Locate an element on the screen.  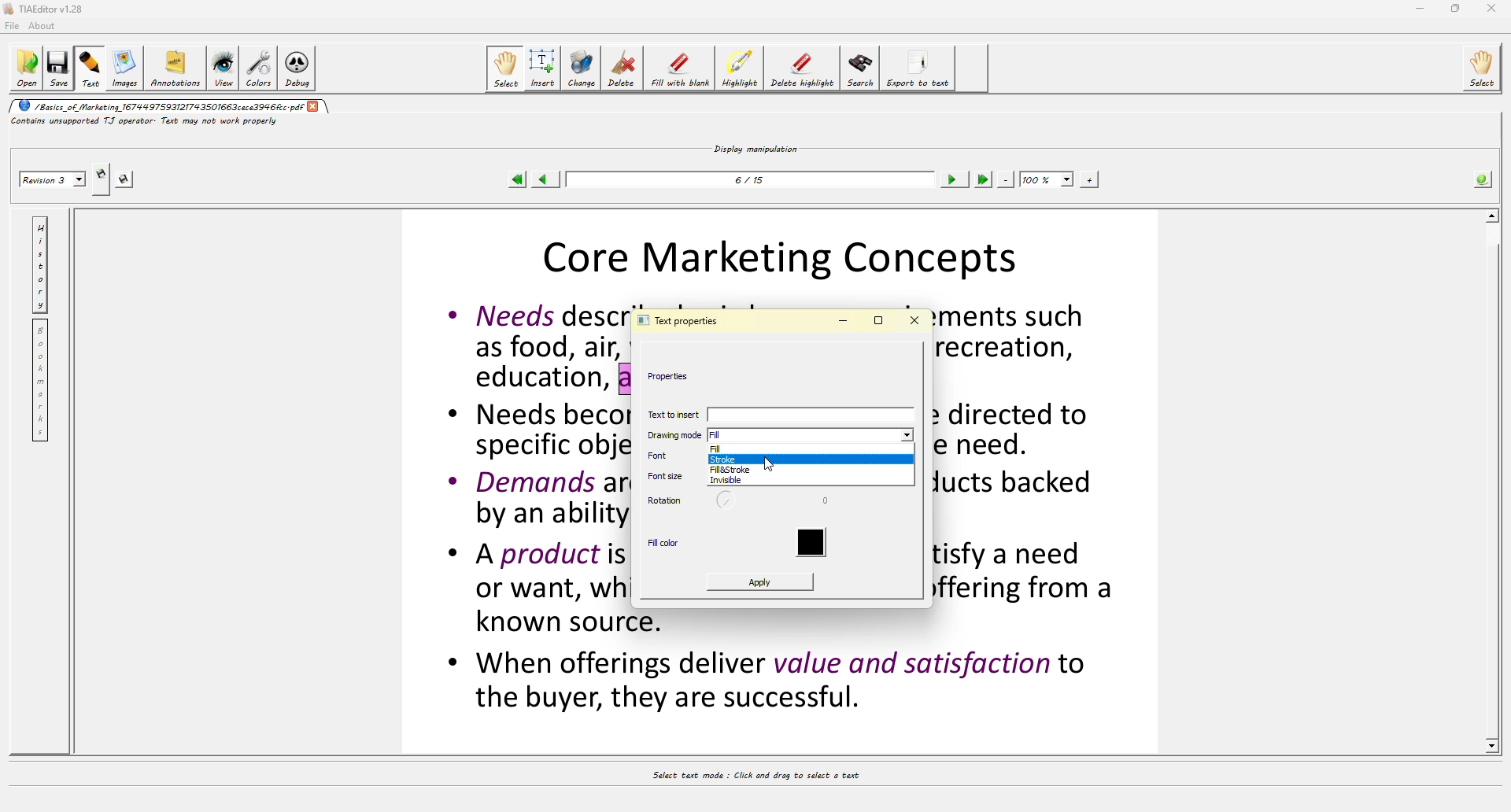
maximize is located at coordinates (880, 319).